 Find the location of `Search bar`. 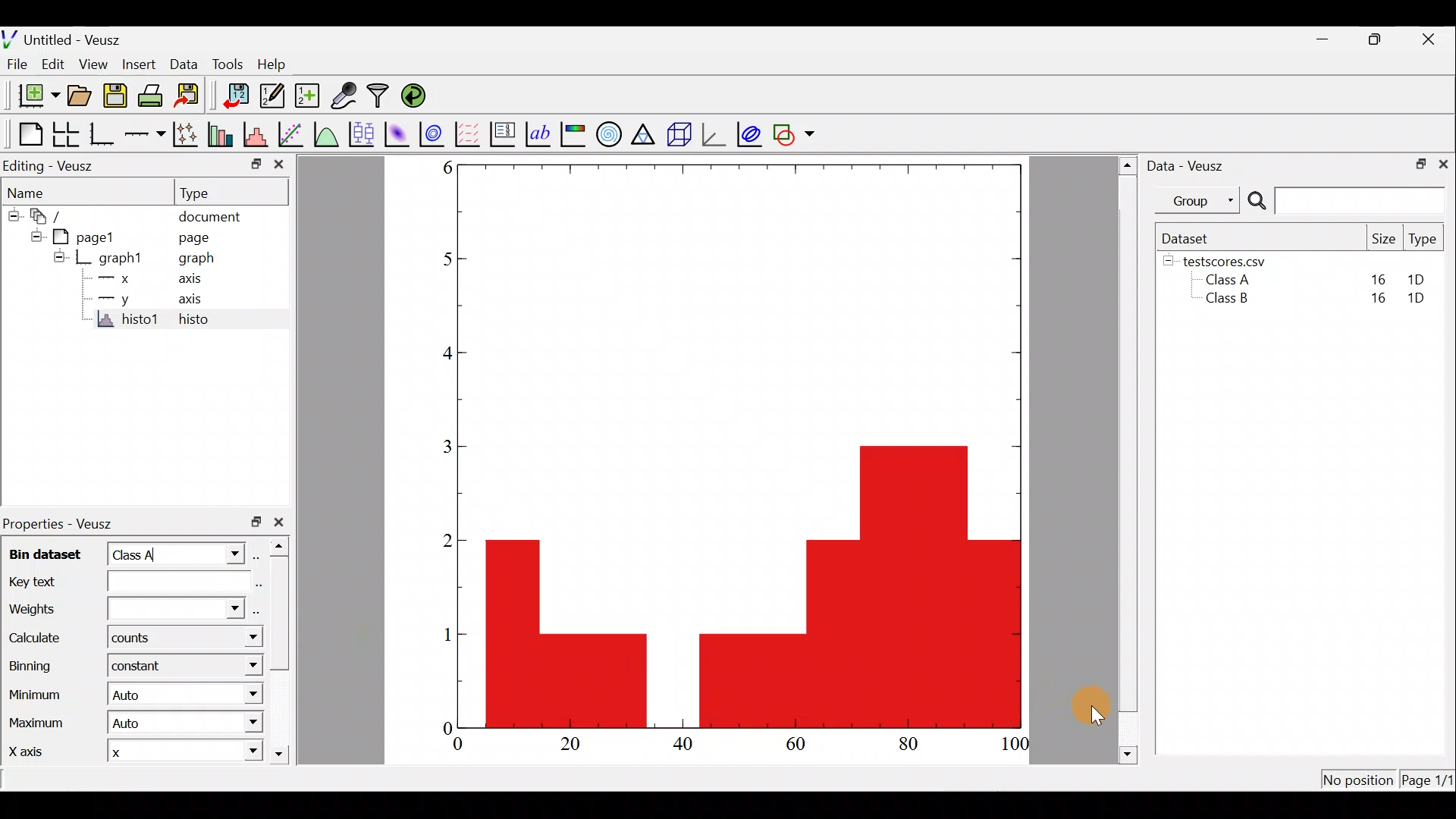

Search bar is located at coordinates (1346, 202).